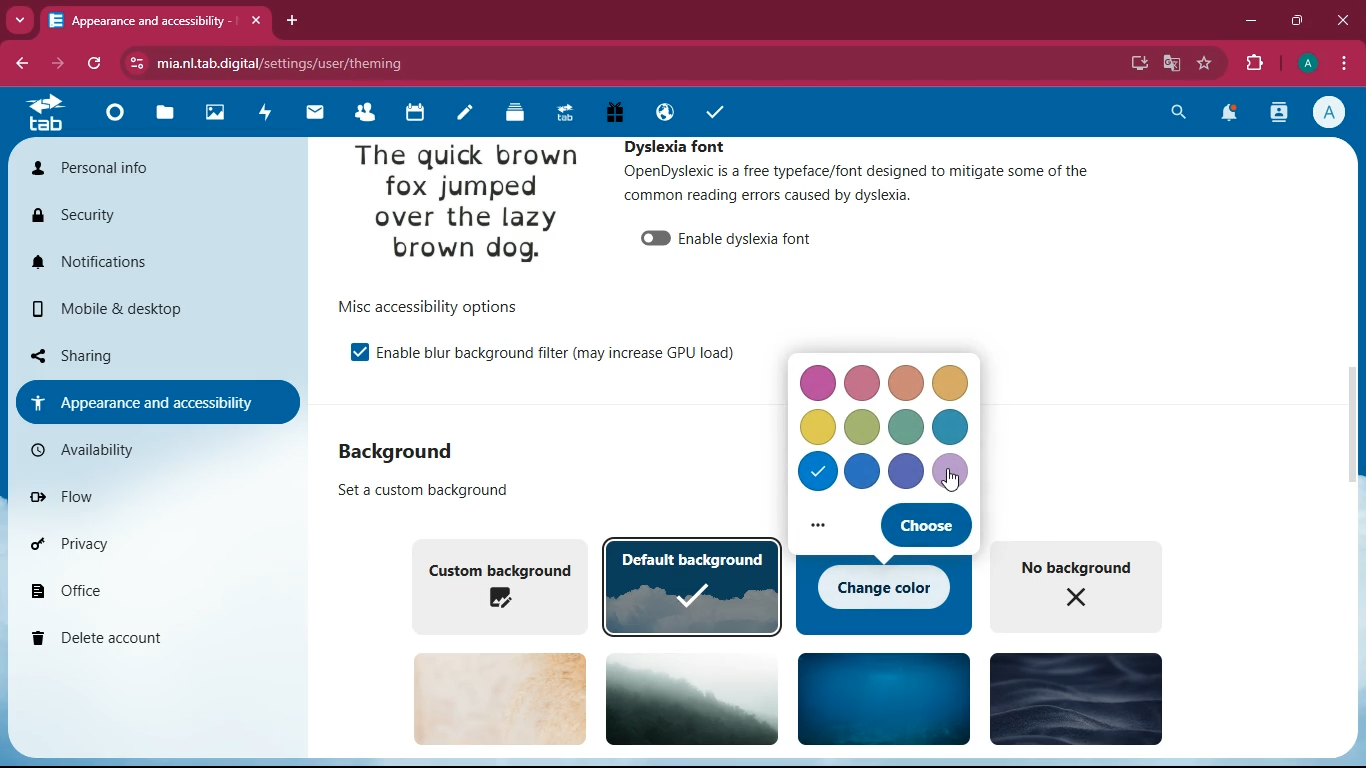 The width and height of the screenshot is (1366, 768). I want to click on images, so click(213, 113).